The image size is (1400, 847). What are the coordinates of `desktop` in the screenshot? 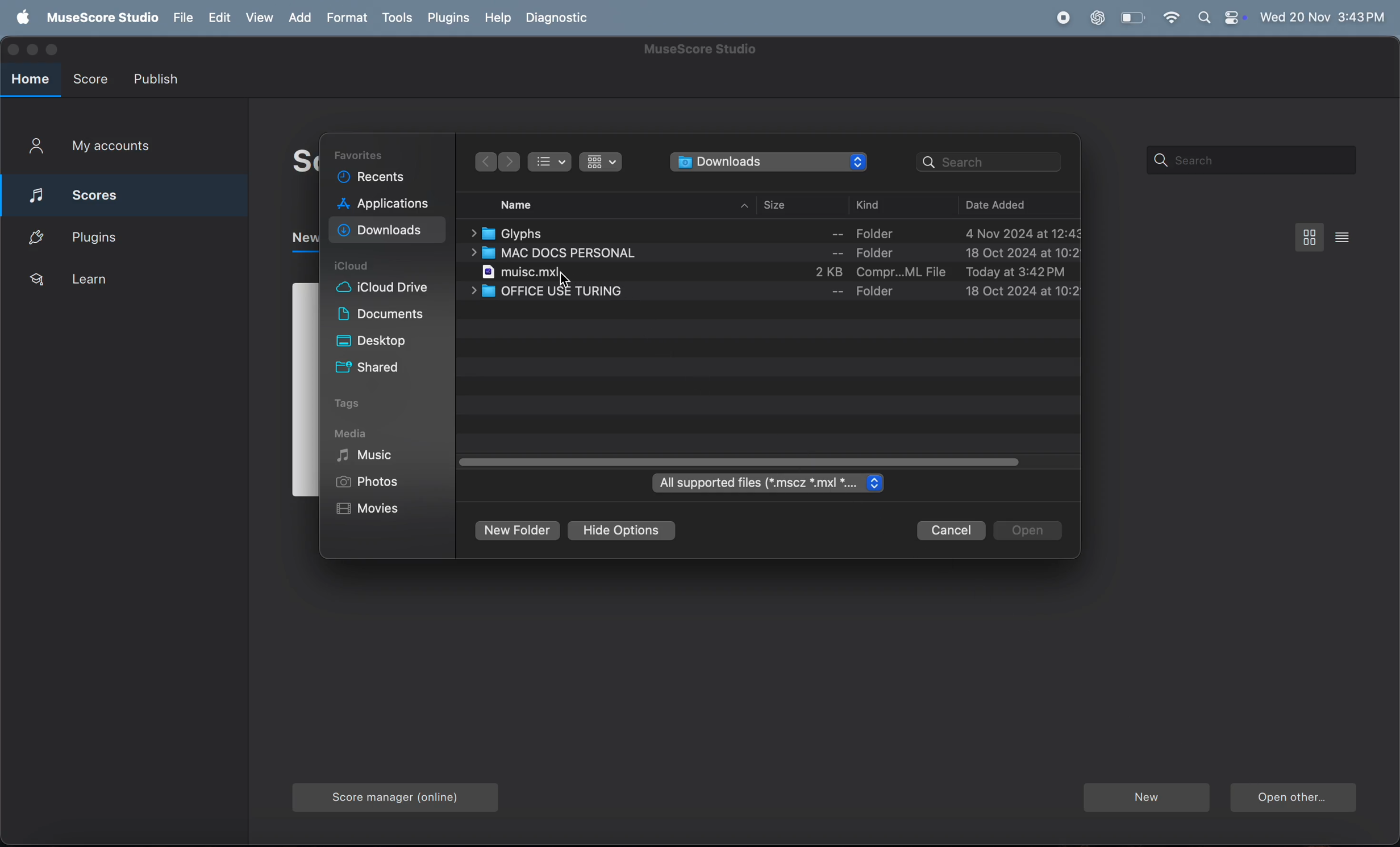 It's located at (378, 342).